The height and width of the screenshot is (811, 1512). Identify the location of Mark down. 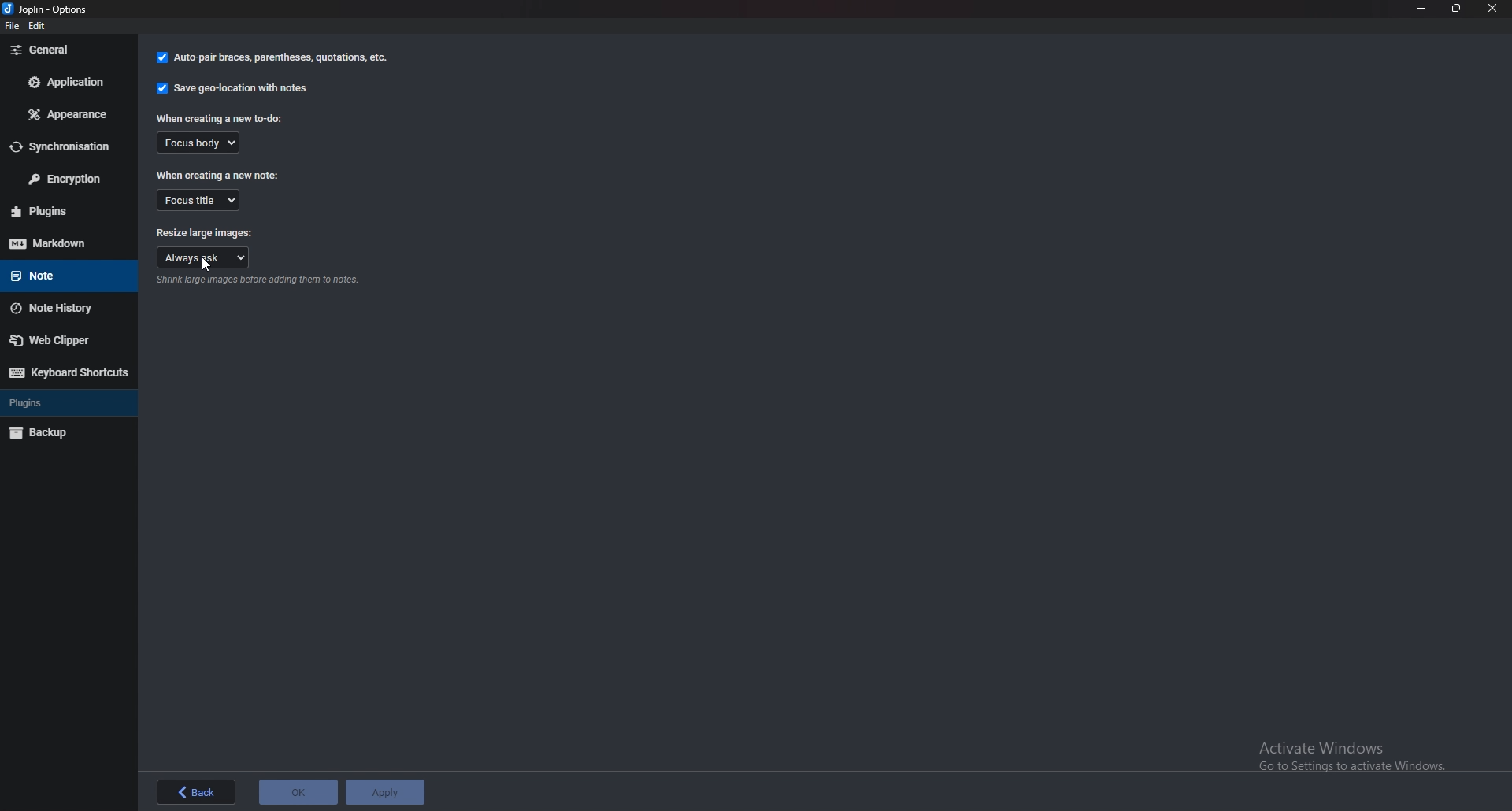
(67, 243).